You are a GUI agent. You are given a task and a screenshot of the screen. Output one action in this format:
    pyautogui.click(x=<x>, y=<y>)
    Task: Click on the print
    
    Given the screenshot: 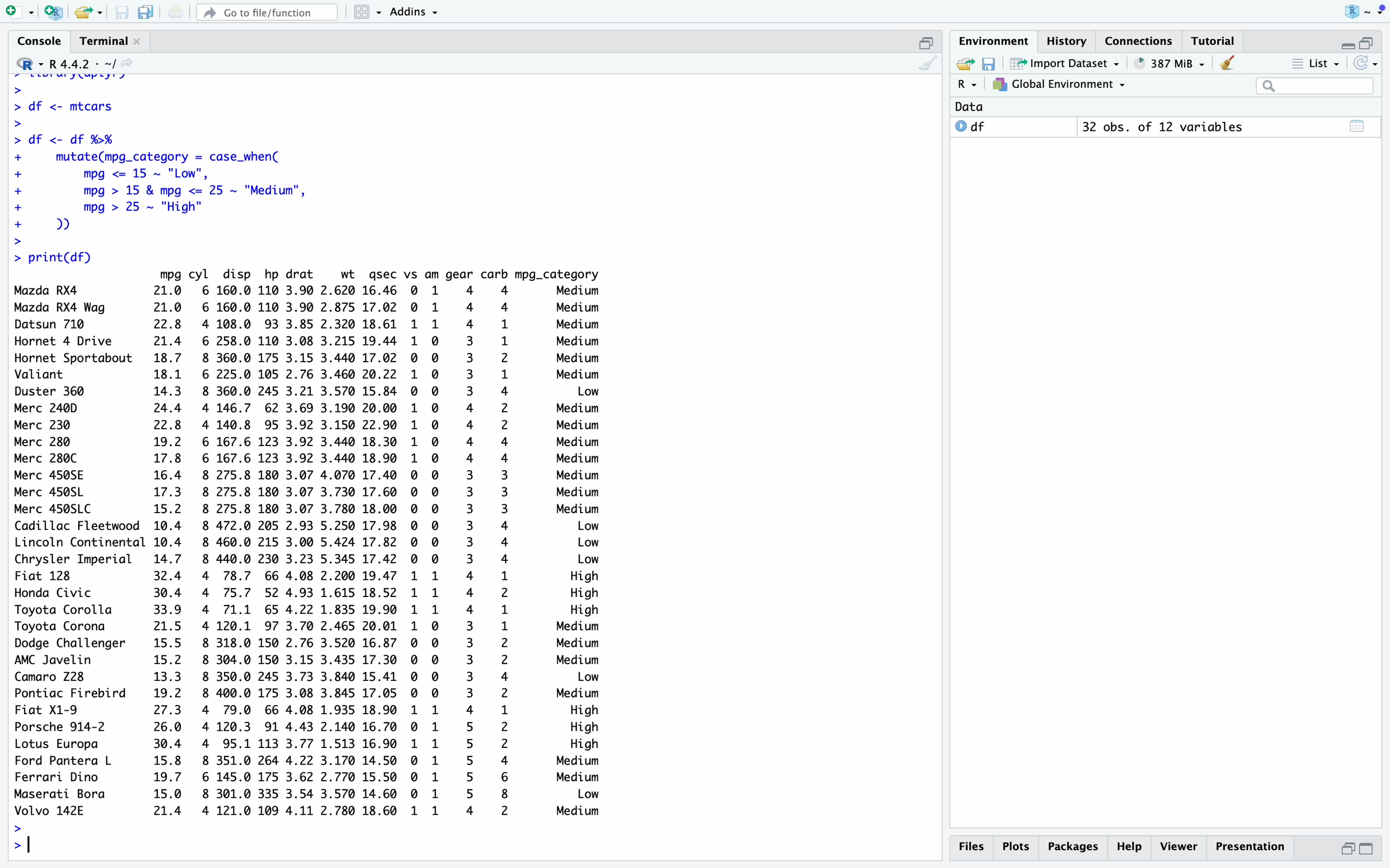 What is the action you would take?
    pyautogui.click(x=176, y=12)
    